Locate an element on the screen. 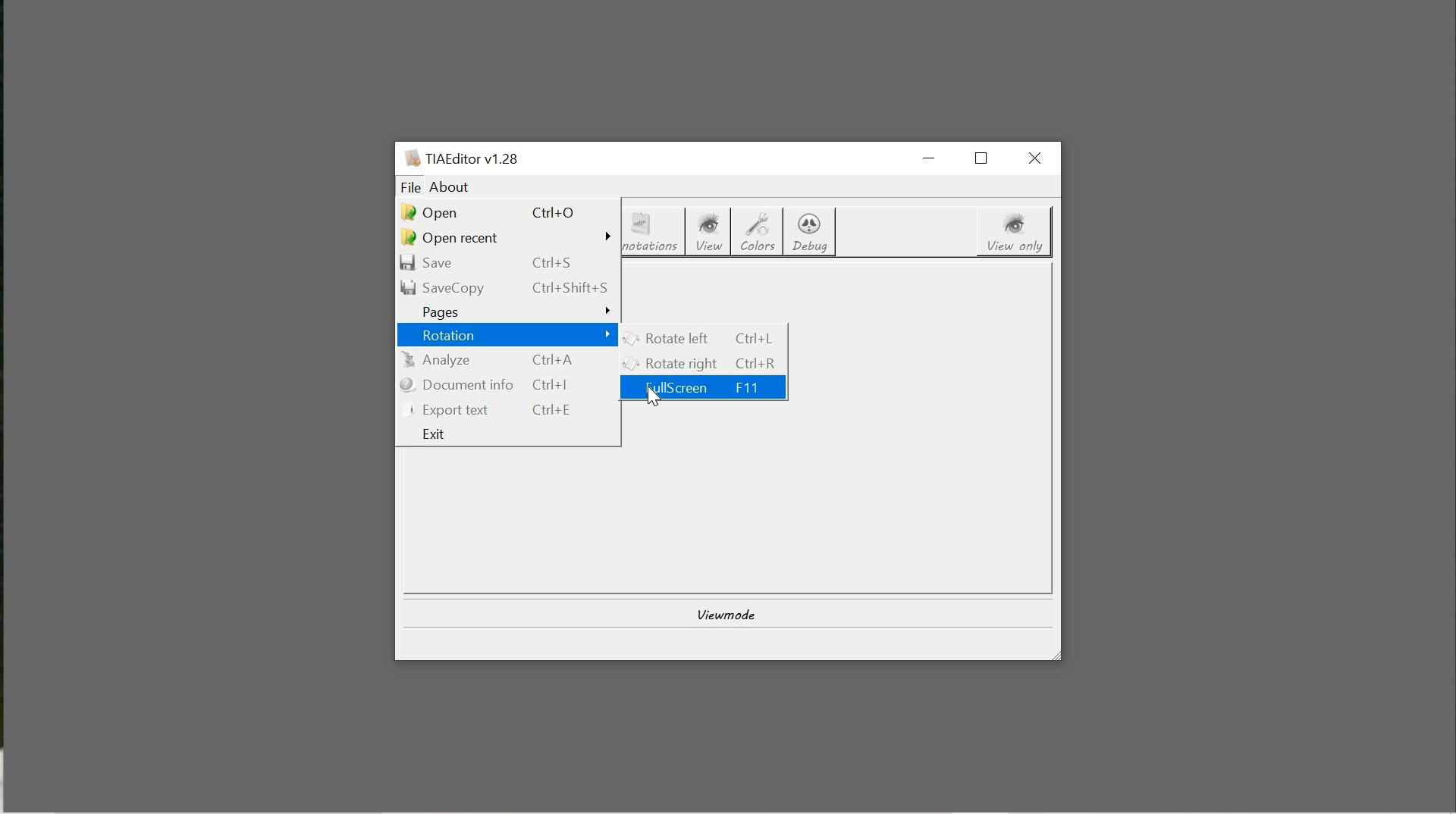 The image size is (1456, 814). annotations is located at coordinates (655, 233).